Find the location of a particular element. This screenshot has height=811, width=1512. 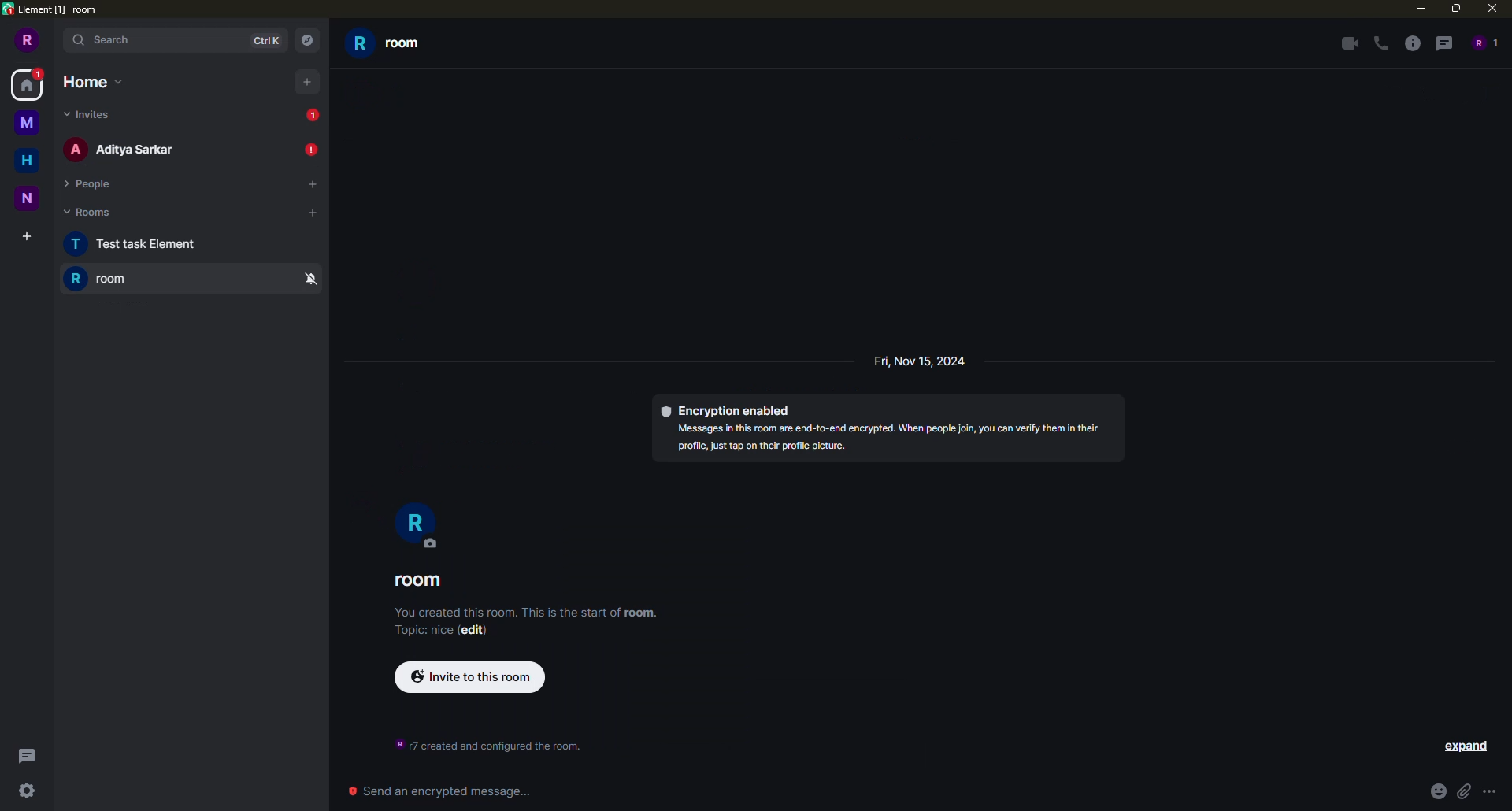

rooms is located at coordinates (95, 213).